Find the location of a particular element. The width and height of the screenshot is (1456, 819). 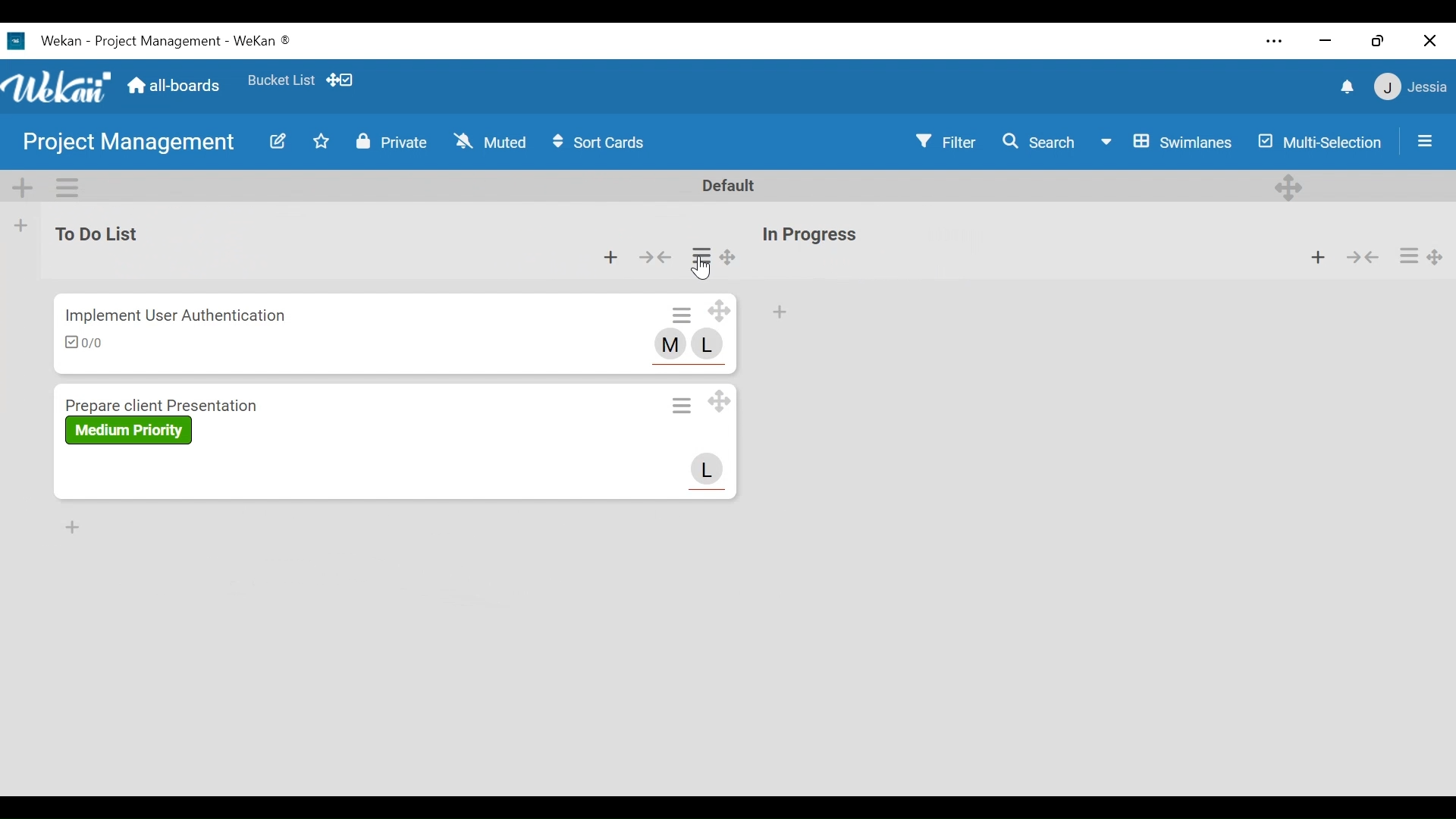

Collapse is located at coordinates (657, 256).